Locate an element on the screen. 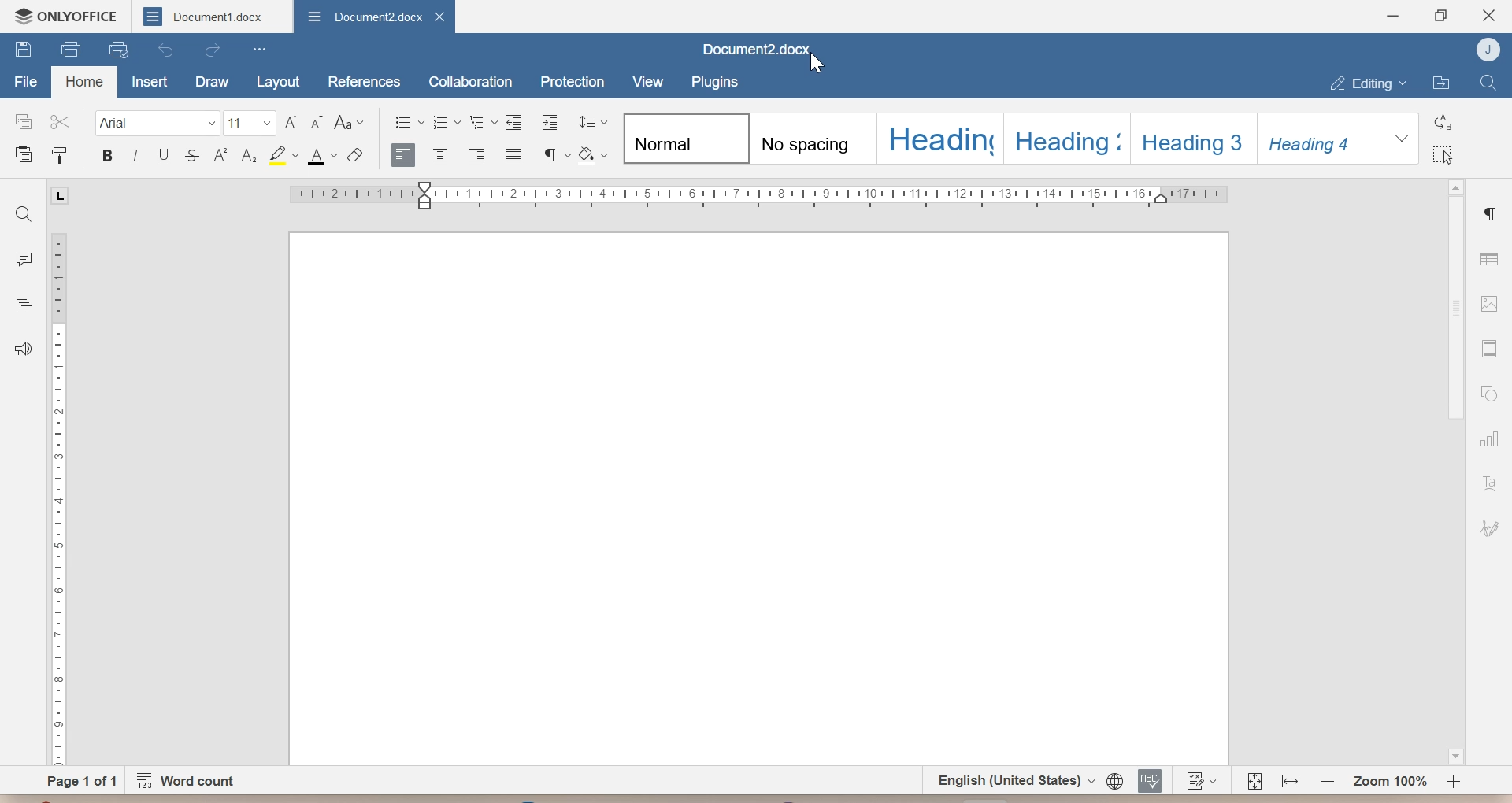 This screenshot has width=1512, height=803. Draw is located at coordinates (211, 83).